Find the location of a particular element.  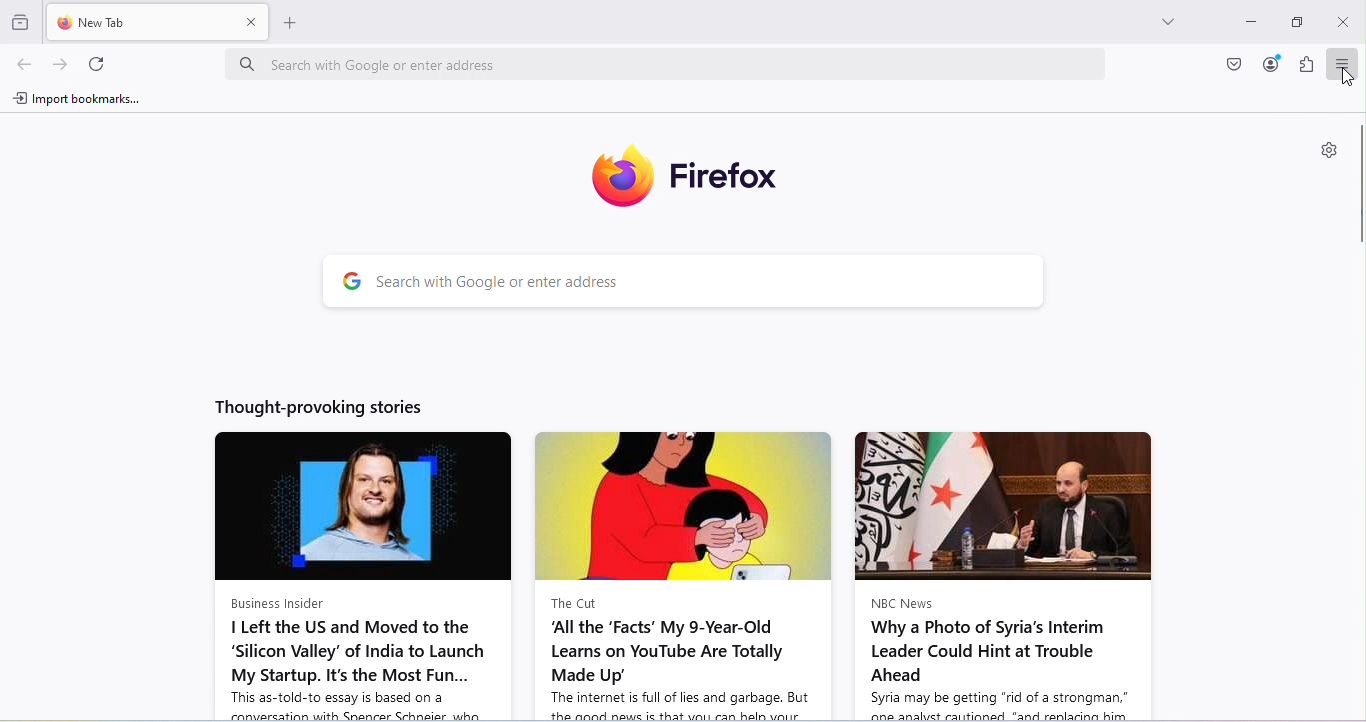

Close tab is located at coordinates (254, 23).